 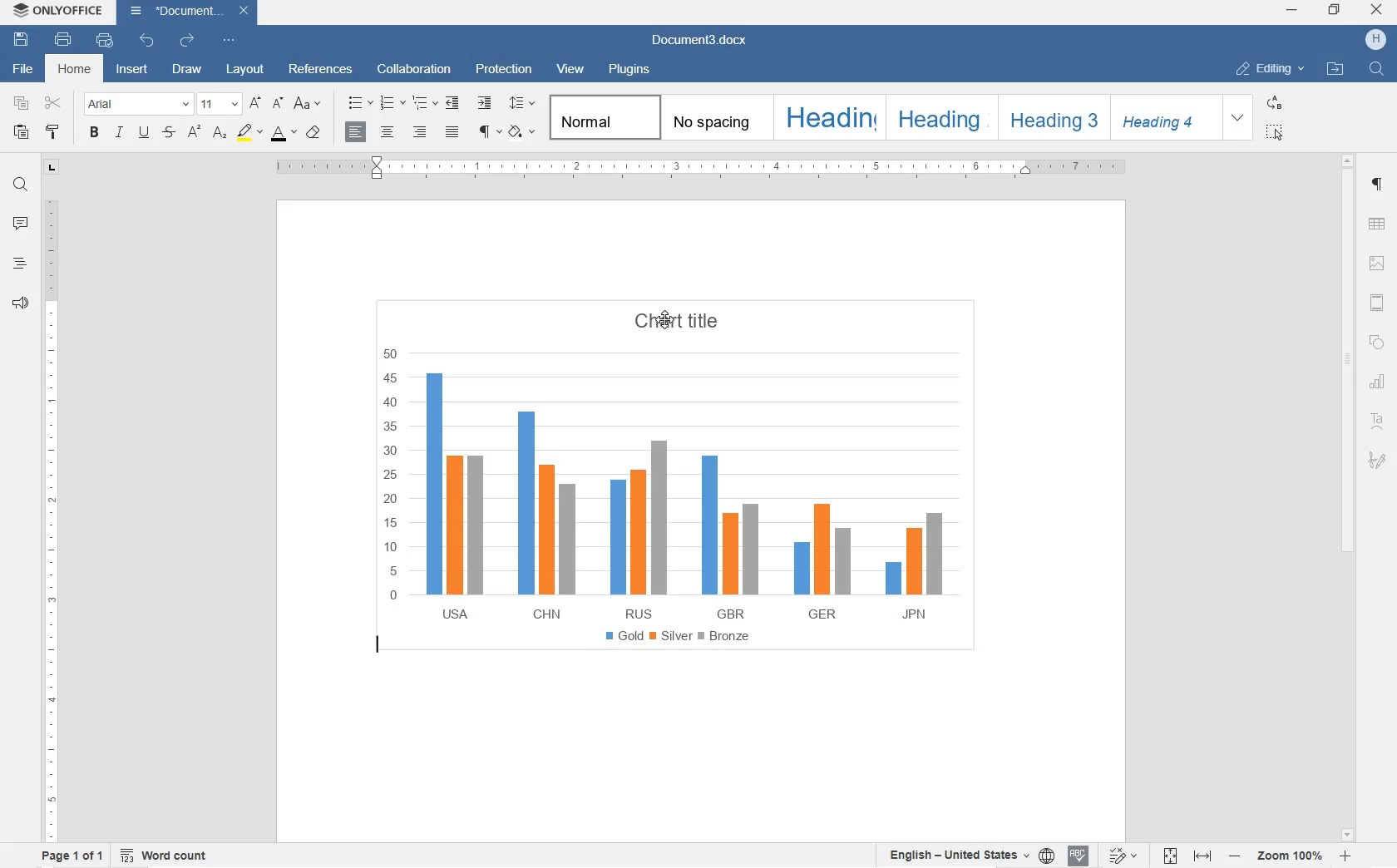 I want to click on NO SPACING, so click(x=713, y=119).